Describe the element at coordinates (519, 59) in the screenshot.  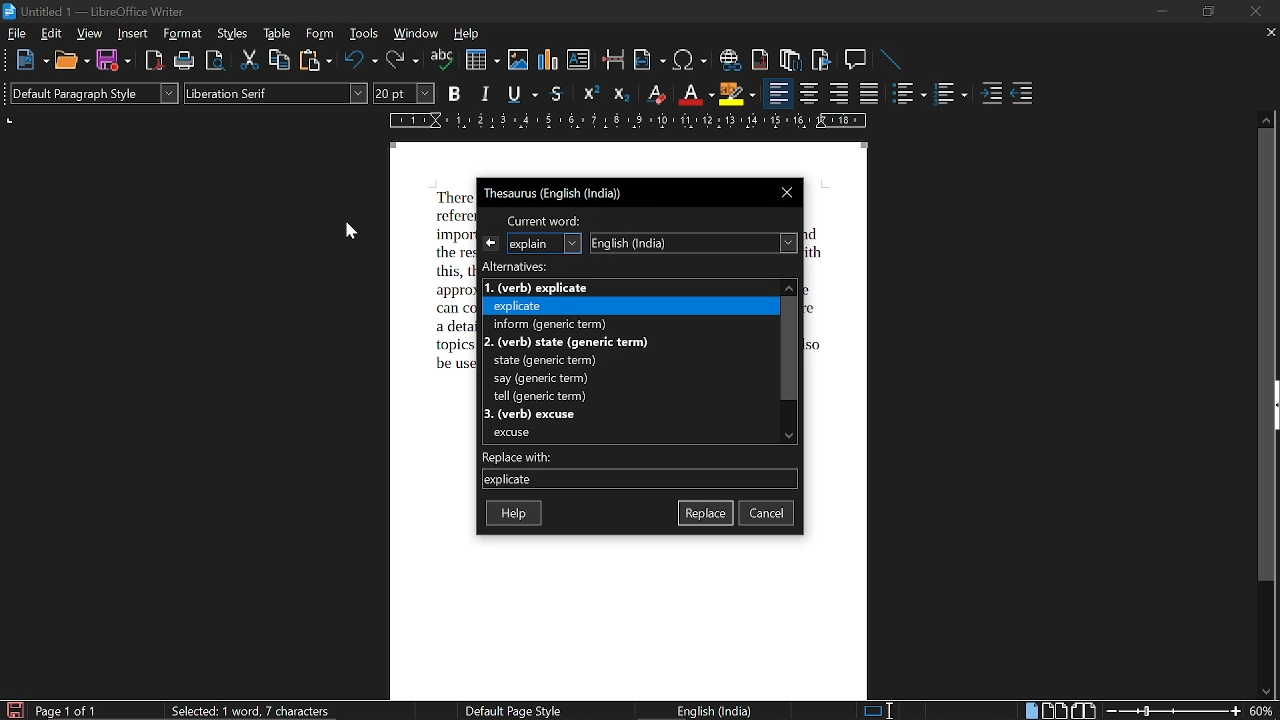
I see `insert image` at that location.